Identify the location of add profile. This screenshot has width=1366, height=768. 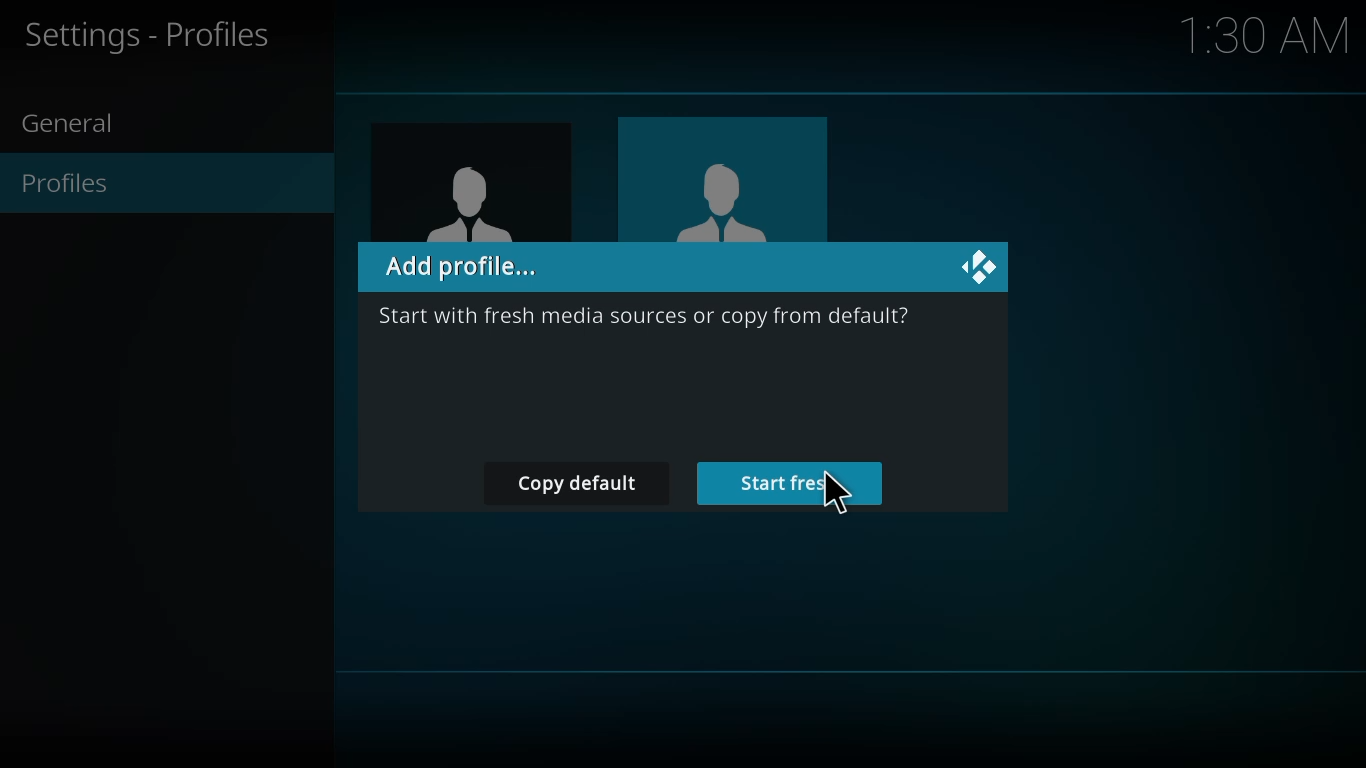
(465, 268).